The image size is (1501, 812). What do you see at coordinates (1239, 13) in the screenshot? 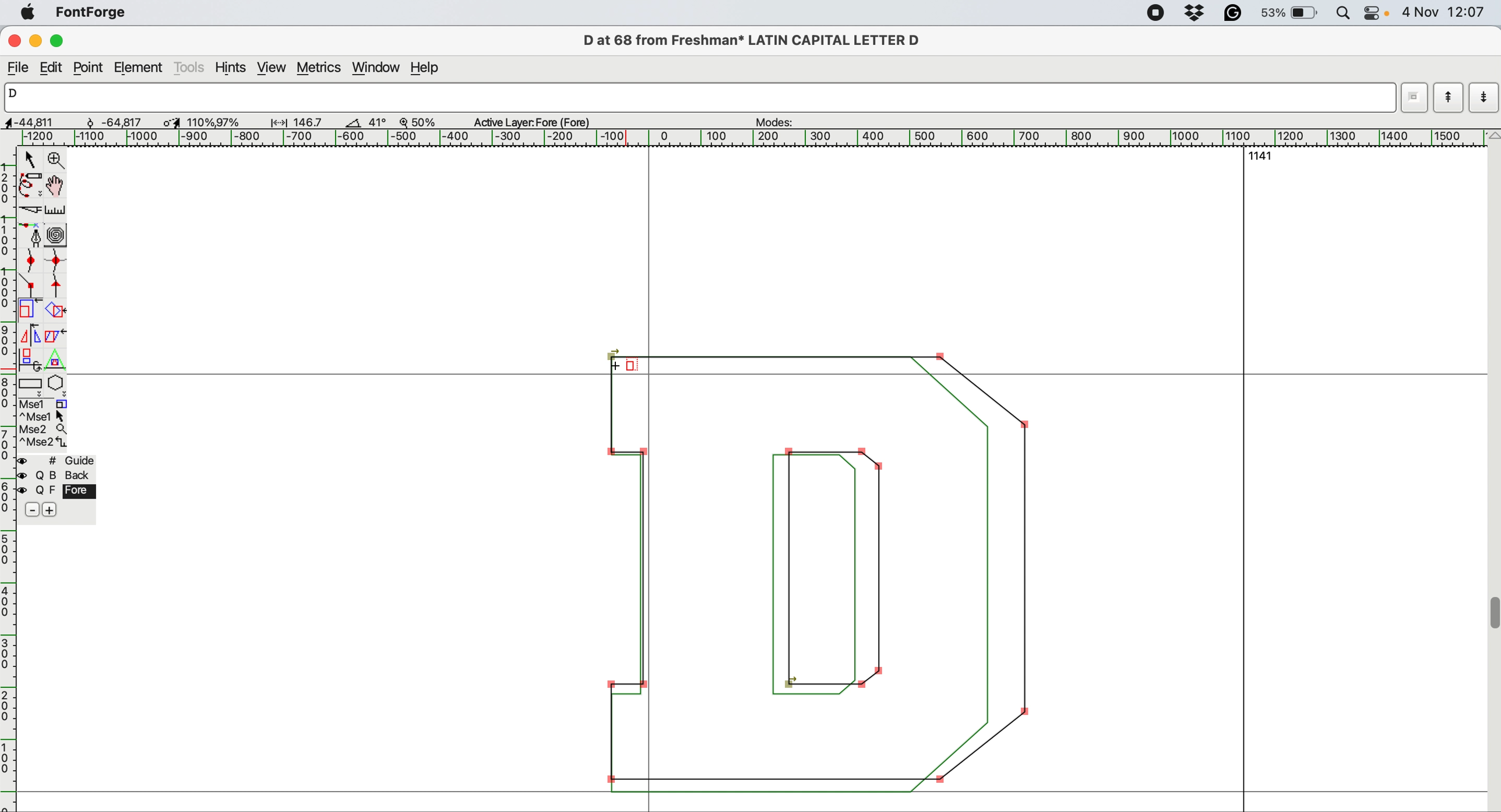
I see `grammarly` at bounding box center [1239, 13].